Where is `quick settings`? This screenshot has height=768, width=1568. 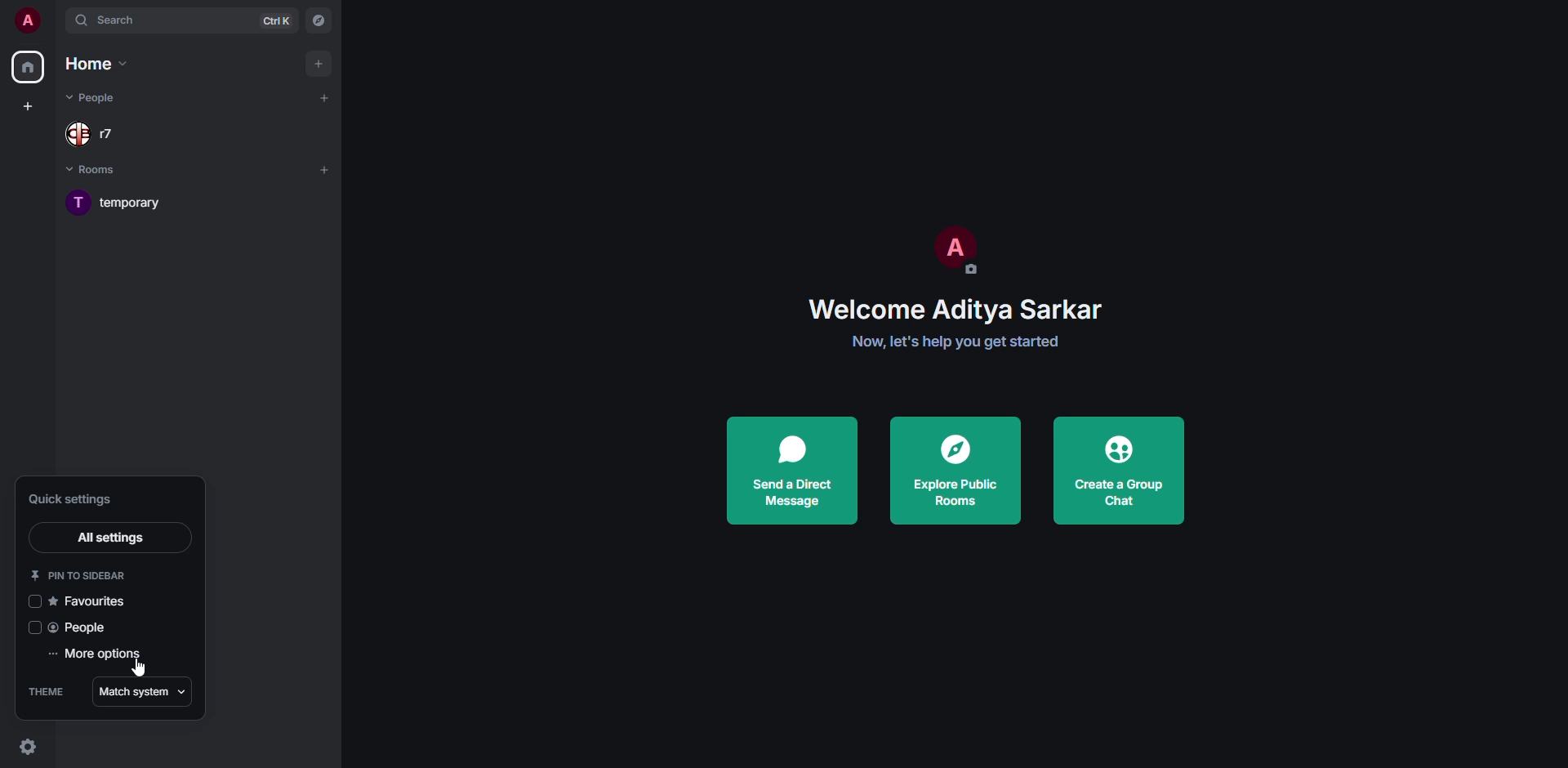 quick settings is located at coordinates (27, 743).